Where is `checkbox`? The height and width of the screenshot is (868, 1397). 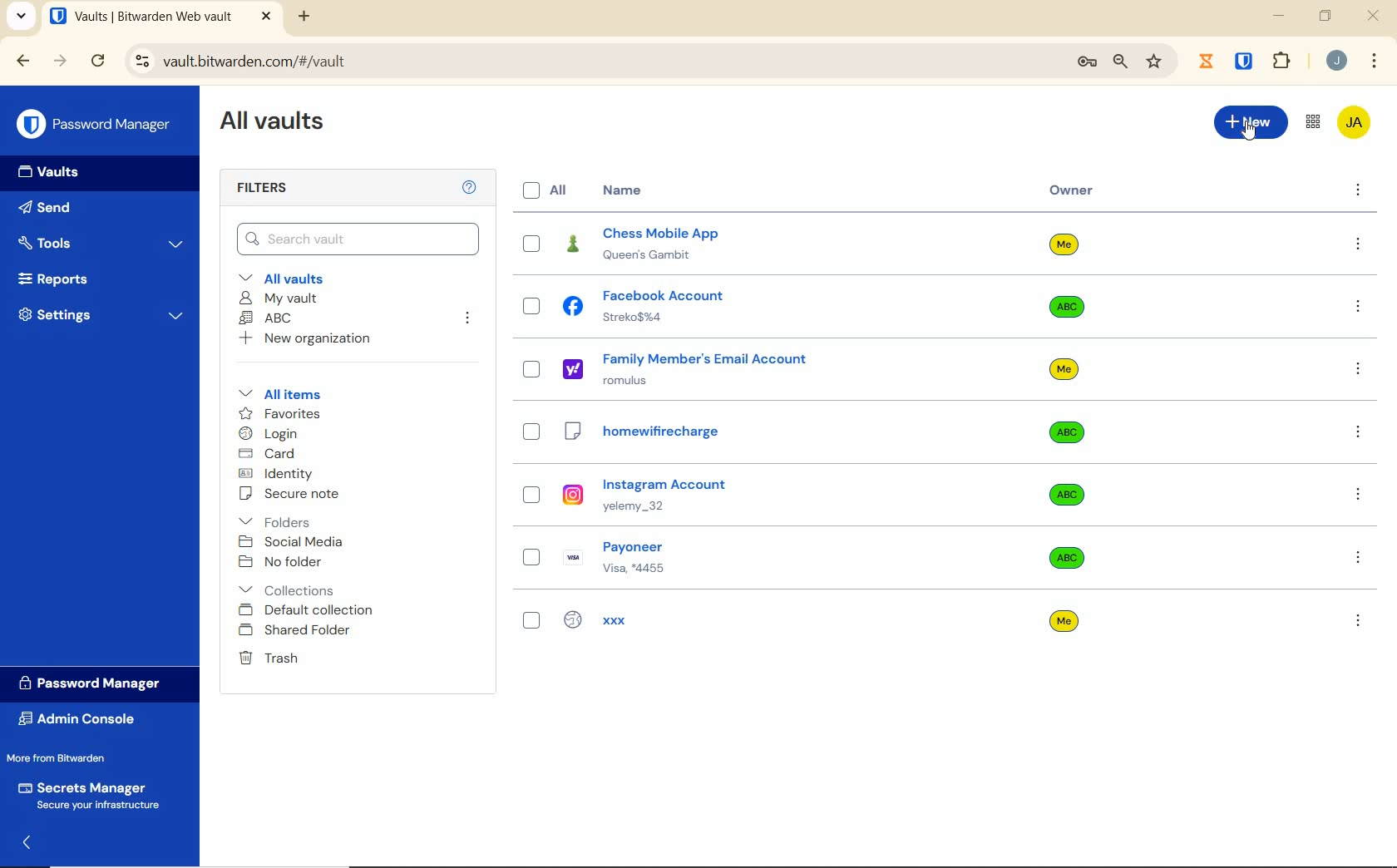
checkbox is located at coordinates (532, 308).